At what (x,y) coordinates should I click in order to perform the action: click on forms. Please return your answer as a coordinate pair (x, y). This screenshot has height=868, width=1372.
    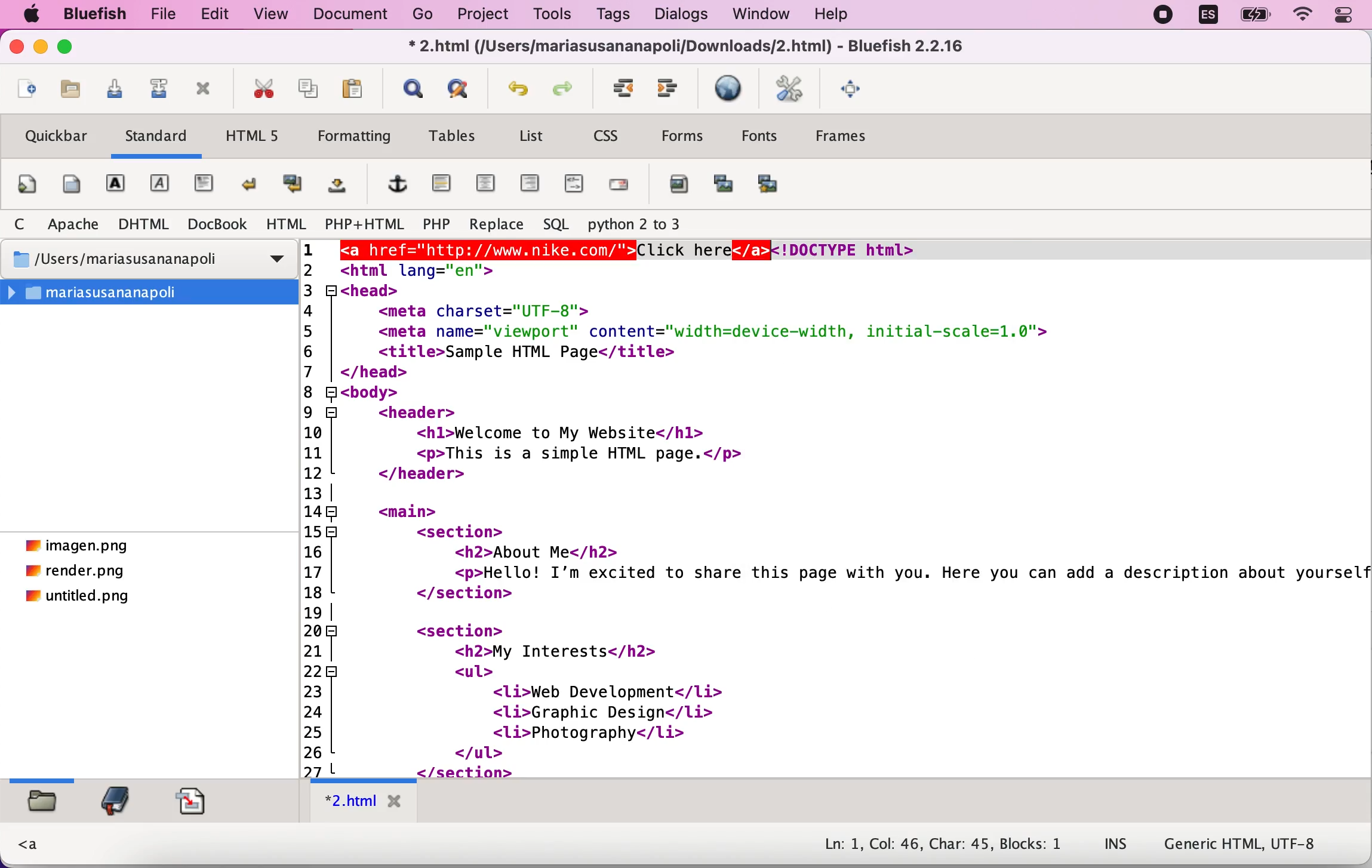
    Looking at the image, I should click on (686, 136).